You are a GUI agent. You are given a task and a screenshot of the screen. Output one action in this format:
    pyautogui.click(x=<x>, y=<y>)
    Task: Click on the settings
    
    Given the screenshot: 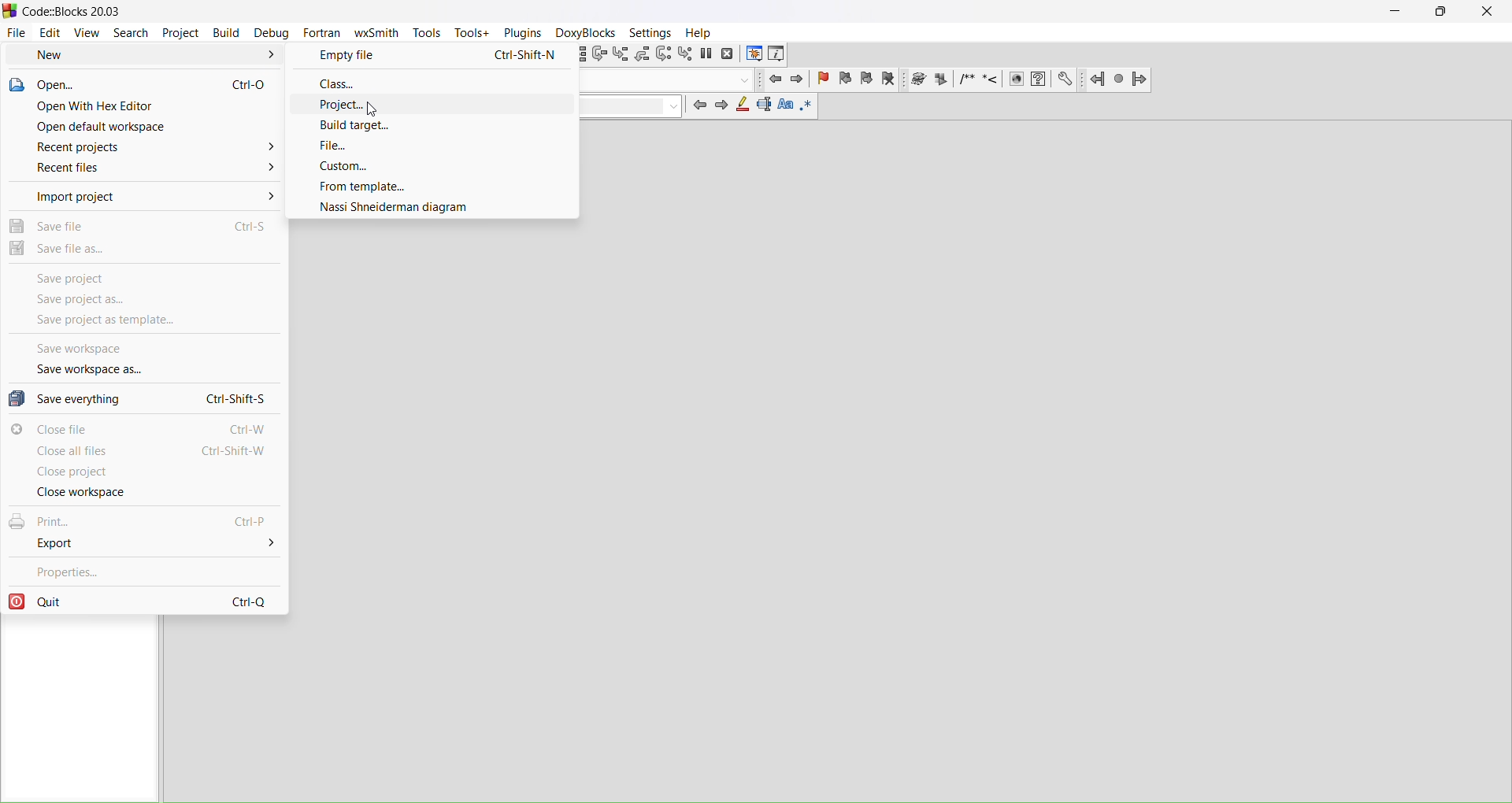 What is the action you would take?
    pyautogui.click(x=654, y=34)
    